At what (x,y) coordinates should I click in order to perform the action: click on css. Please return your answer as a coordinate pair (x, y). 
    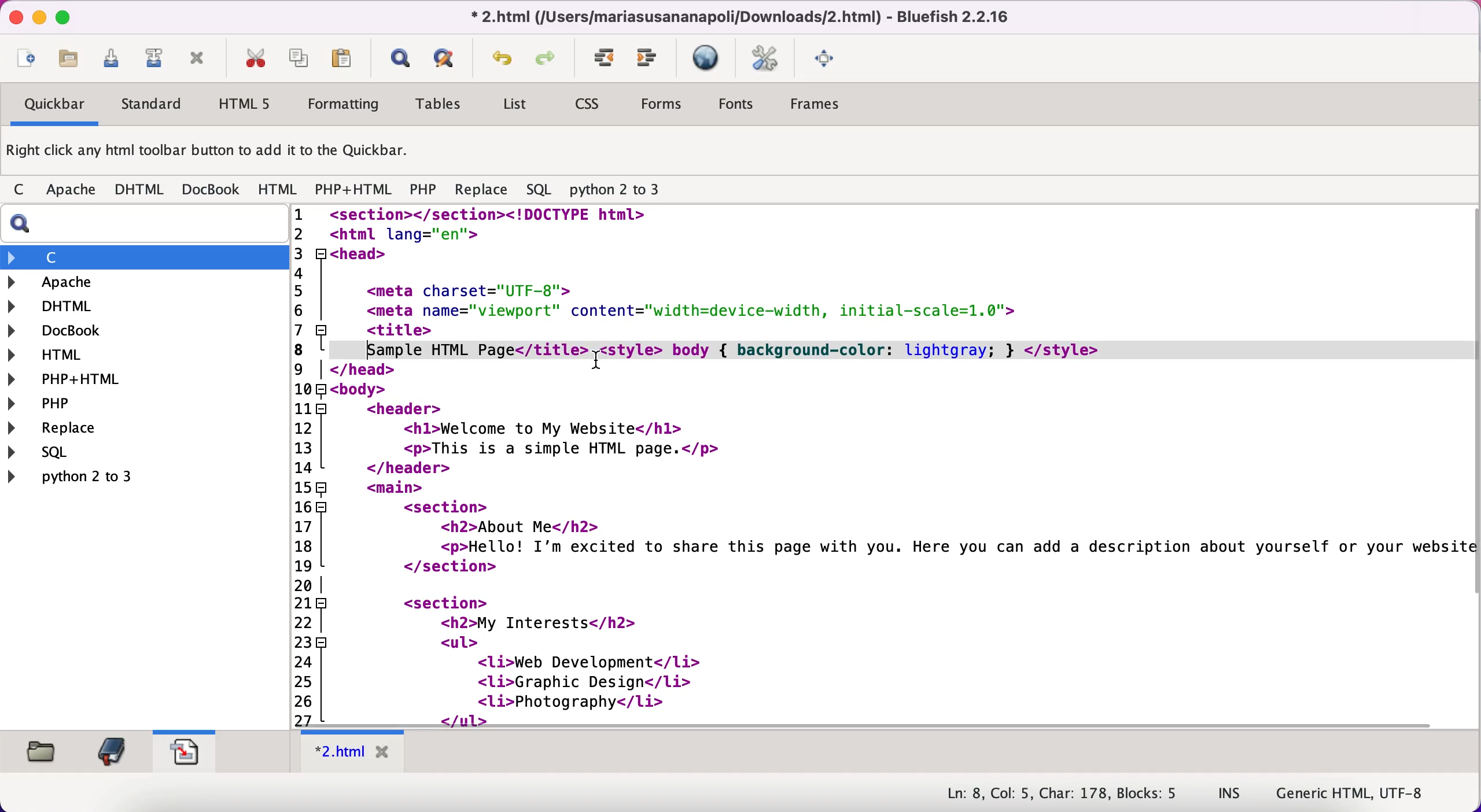
    Looking at the image, I should click on (589, 105).